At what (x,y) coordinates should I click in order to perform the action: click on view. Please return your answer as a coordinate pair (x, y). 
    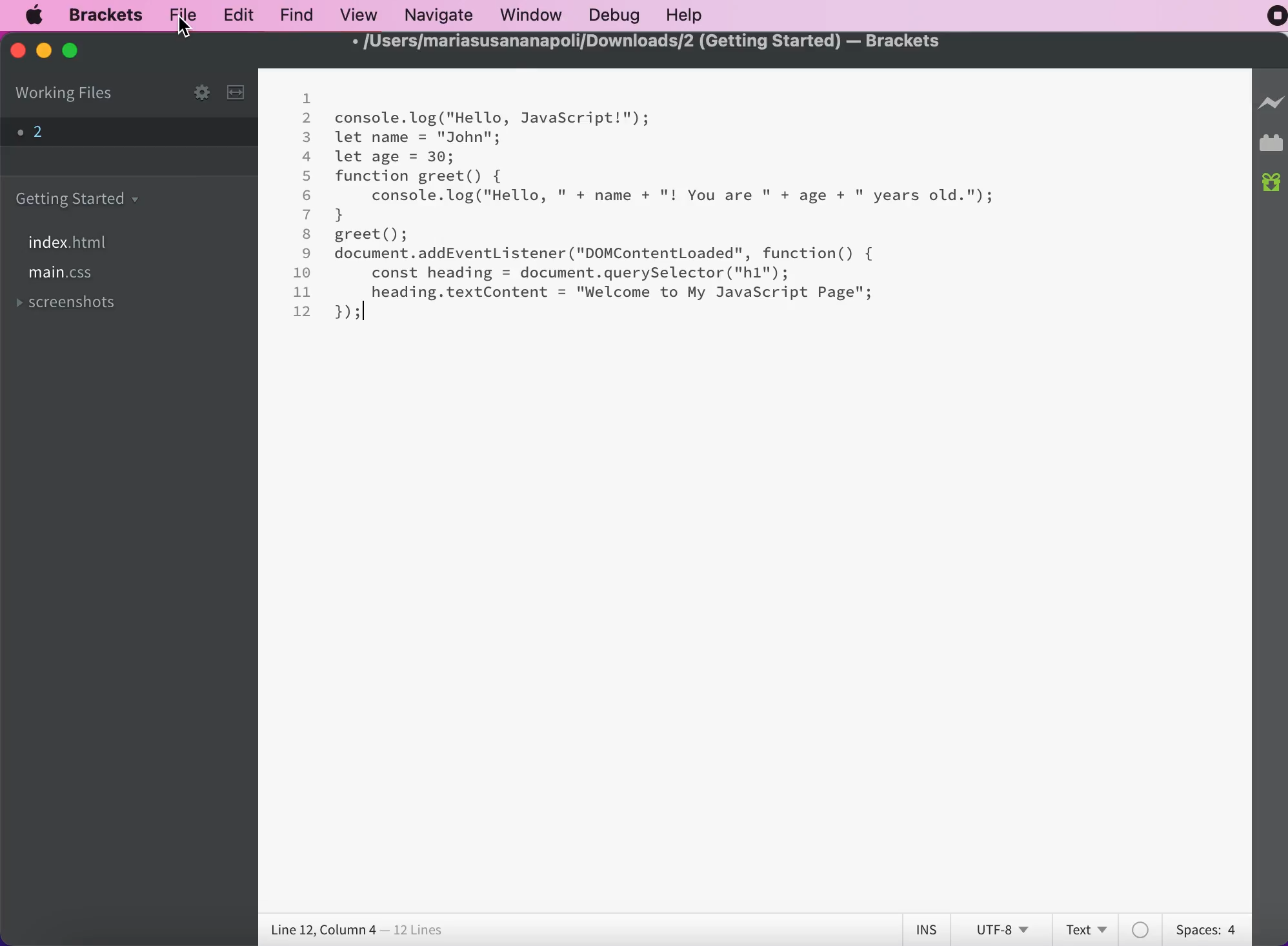
    Looking at the image, I should click on (356, 14).